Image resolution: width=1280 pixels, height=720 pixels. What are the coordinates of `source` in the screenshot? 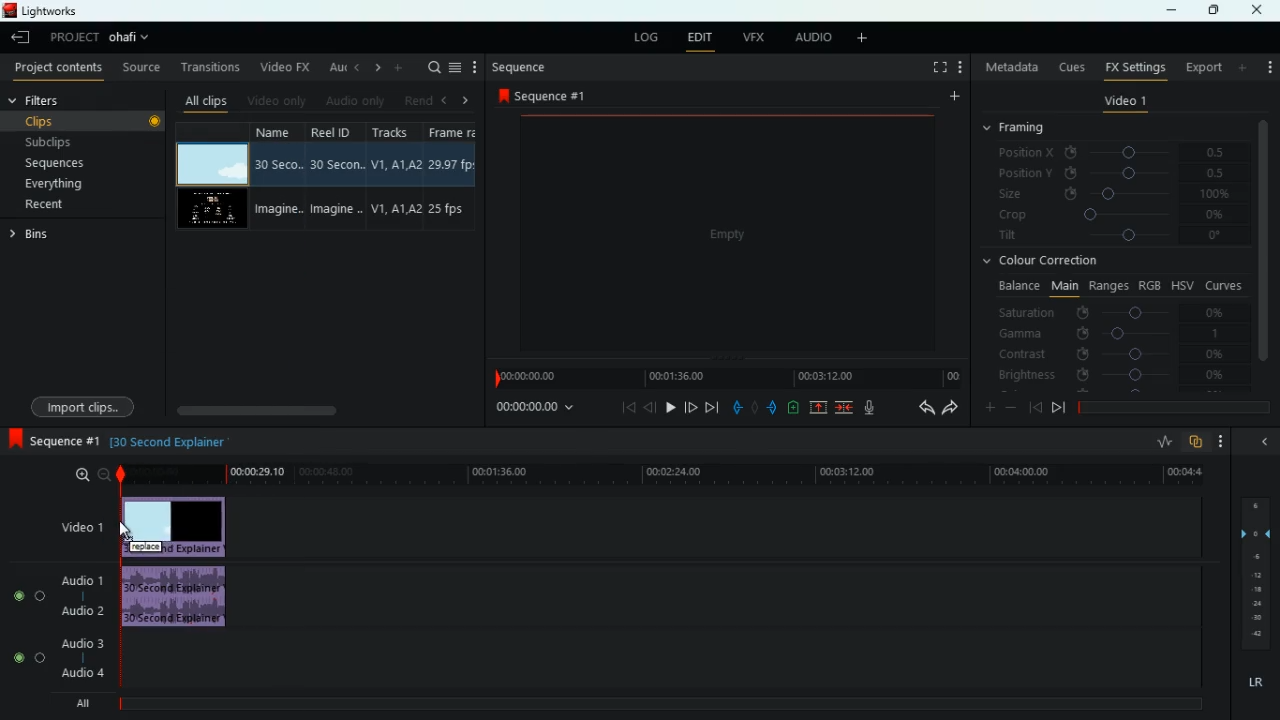 It's located at (141, 67).